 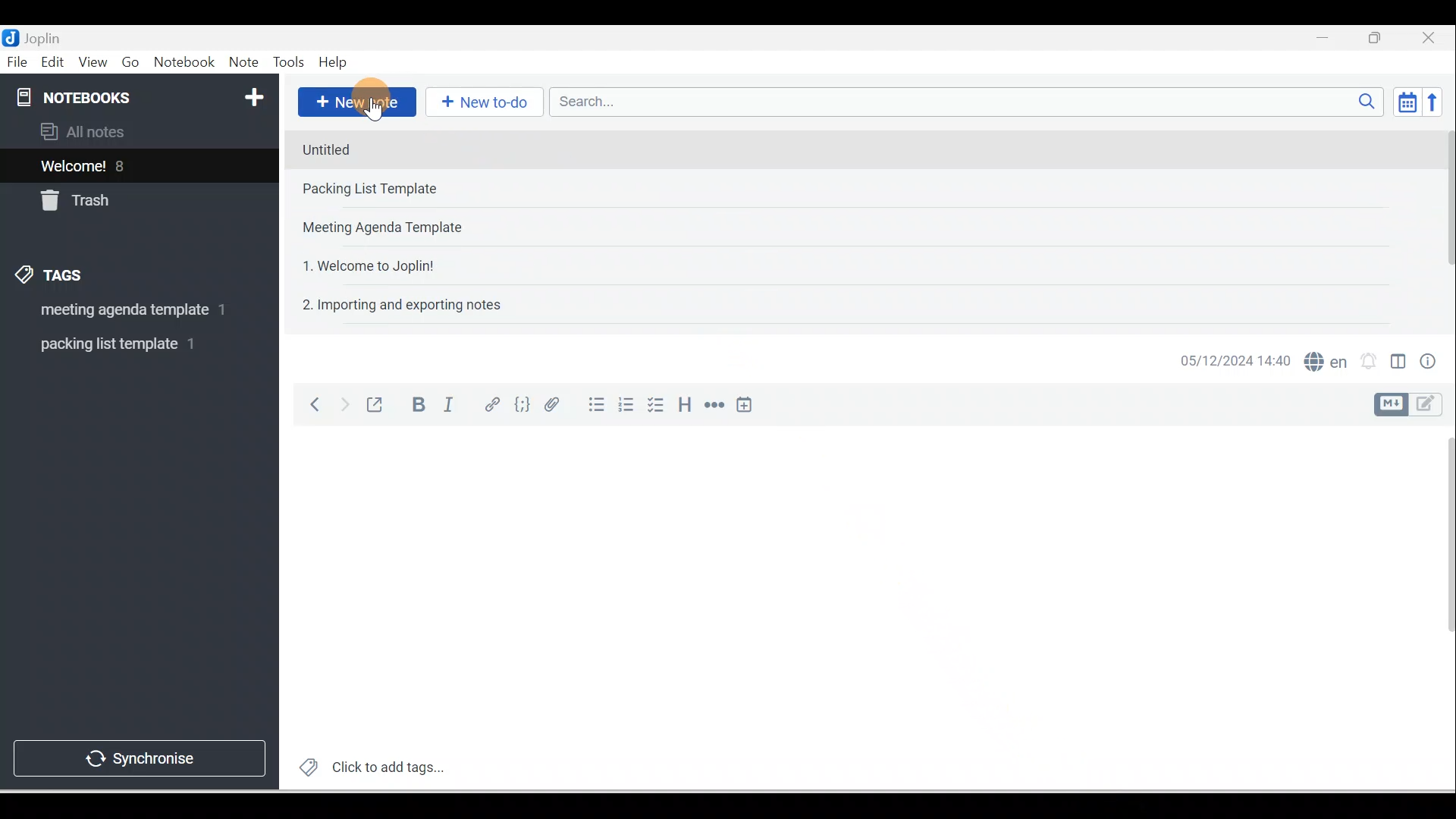 I want to click on Tags, so click(x=54, y=278).